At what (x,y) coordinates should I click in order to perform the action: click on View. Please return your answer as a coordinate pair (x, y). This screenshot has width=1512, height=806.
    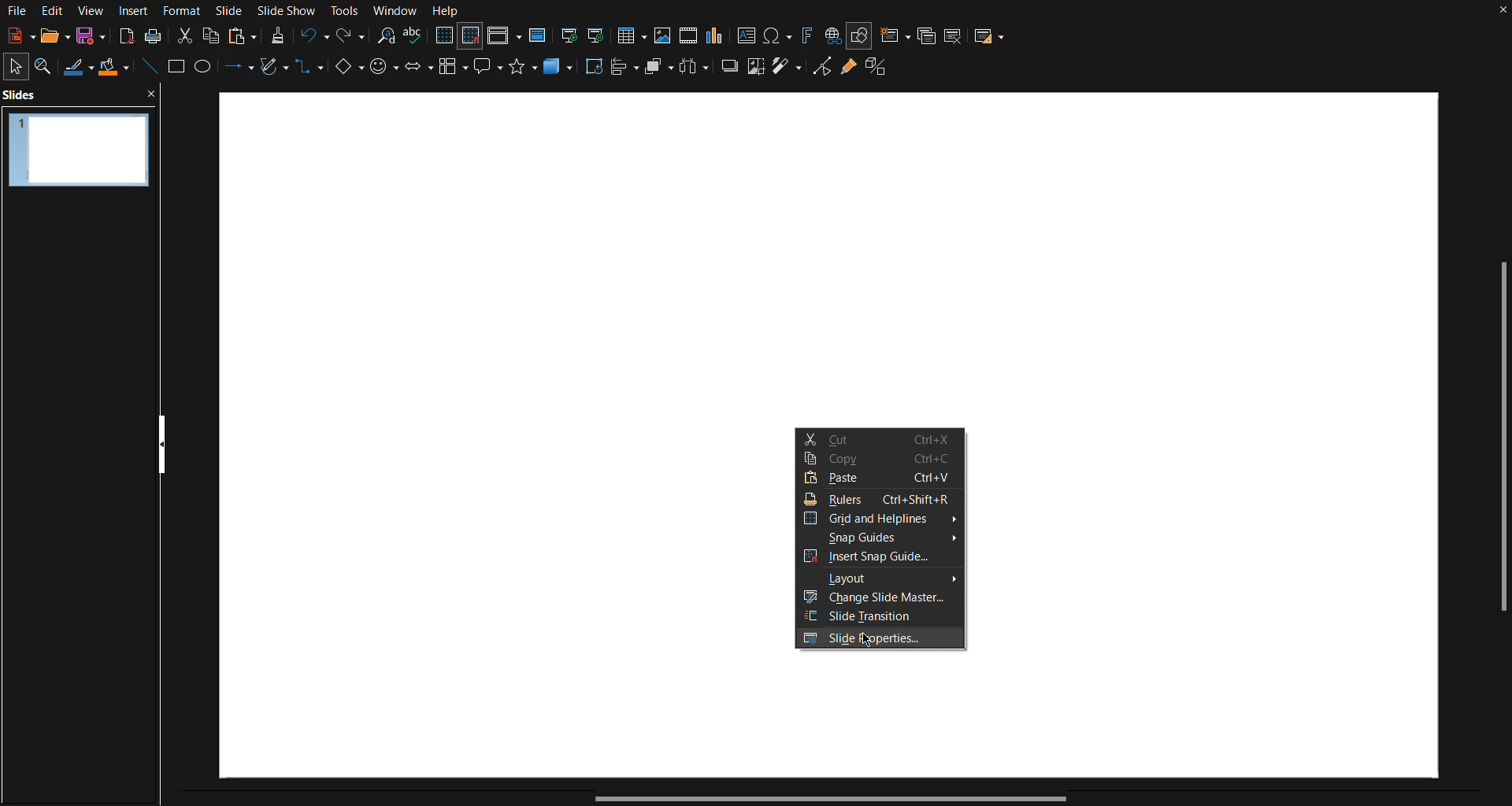
    Looking at the image, I should click on (91, 10).